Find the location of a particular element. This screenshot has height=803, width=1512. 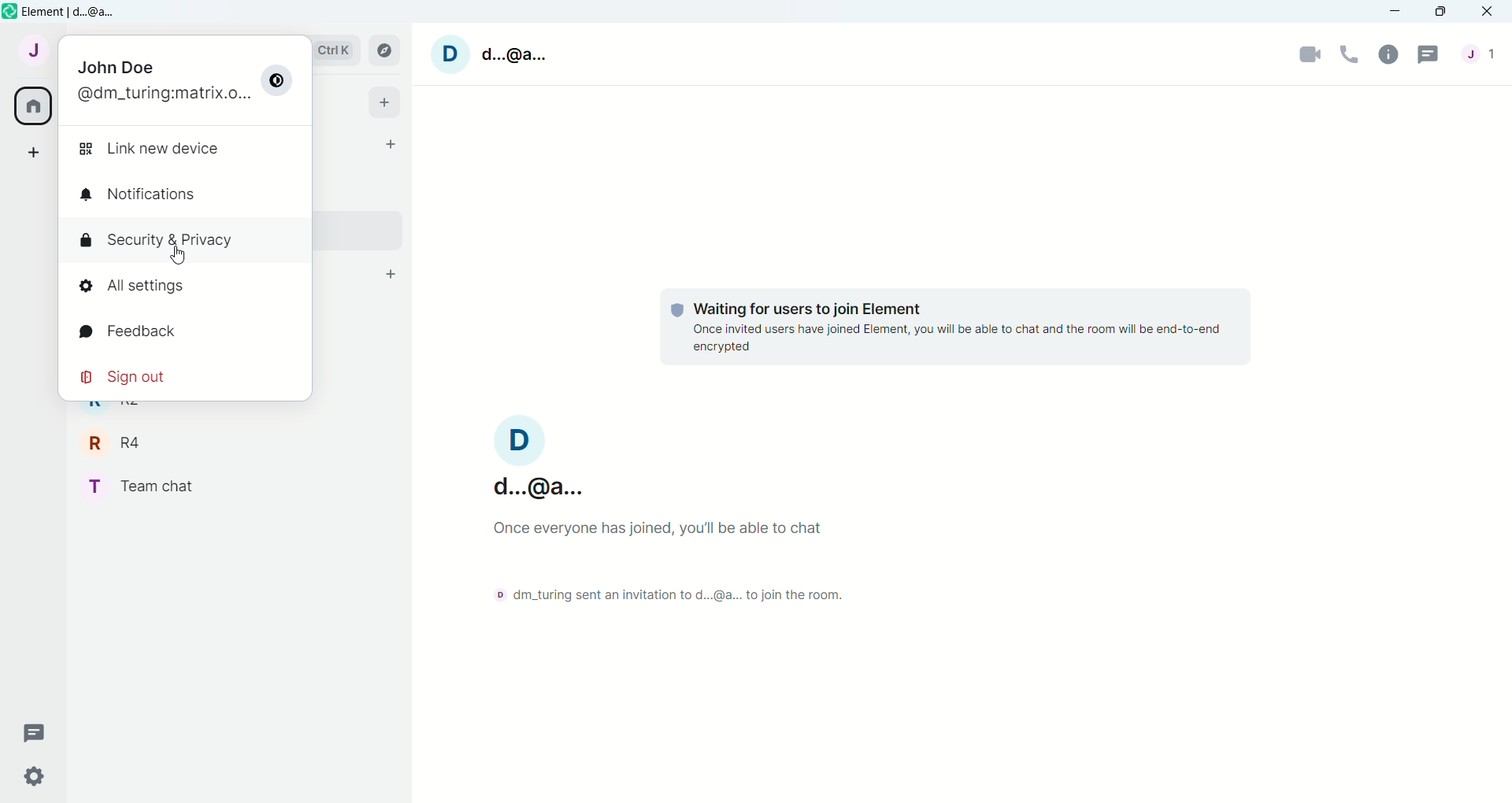

dm_turing sent an invitation to d...@a... to join the room. is located at coordinates (675, 594).